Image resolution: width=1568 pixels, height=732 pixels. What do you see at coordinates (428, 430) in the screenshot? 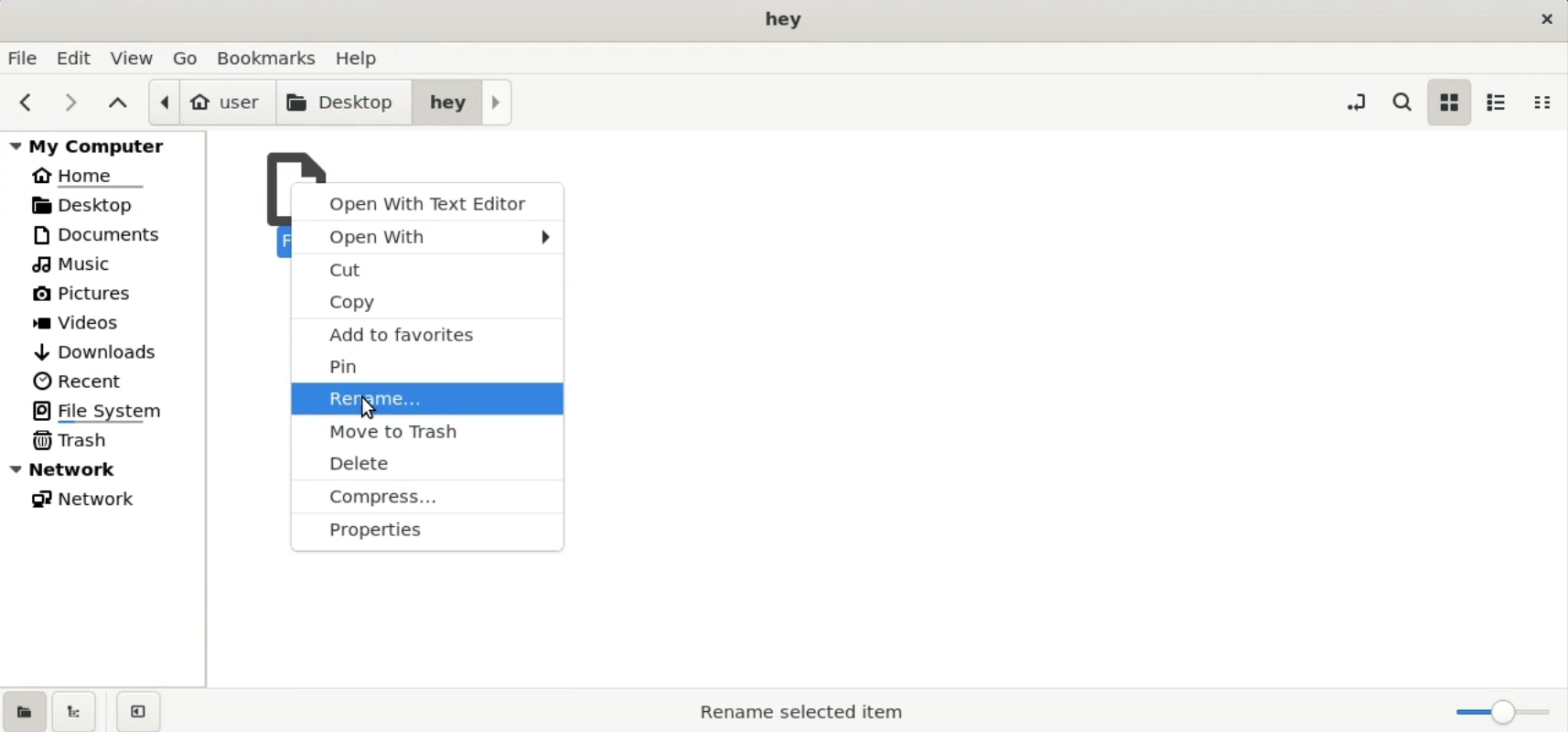
I see `move to trash` at bounding box center [428, 430].